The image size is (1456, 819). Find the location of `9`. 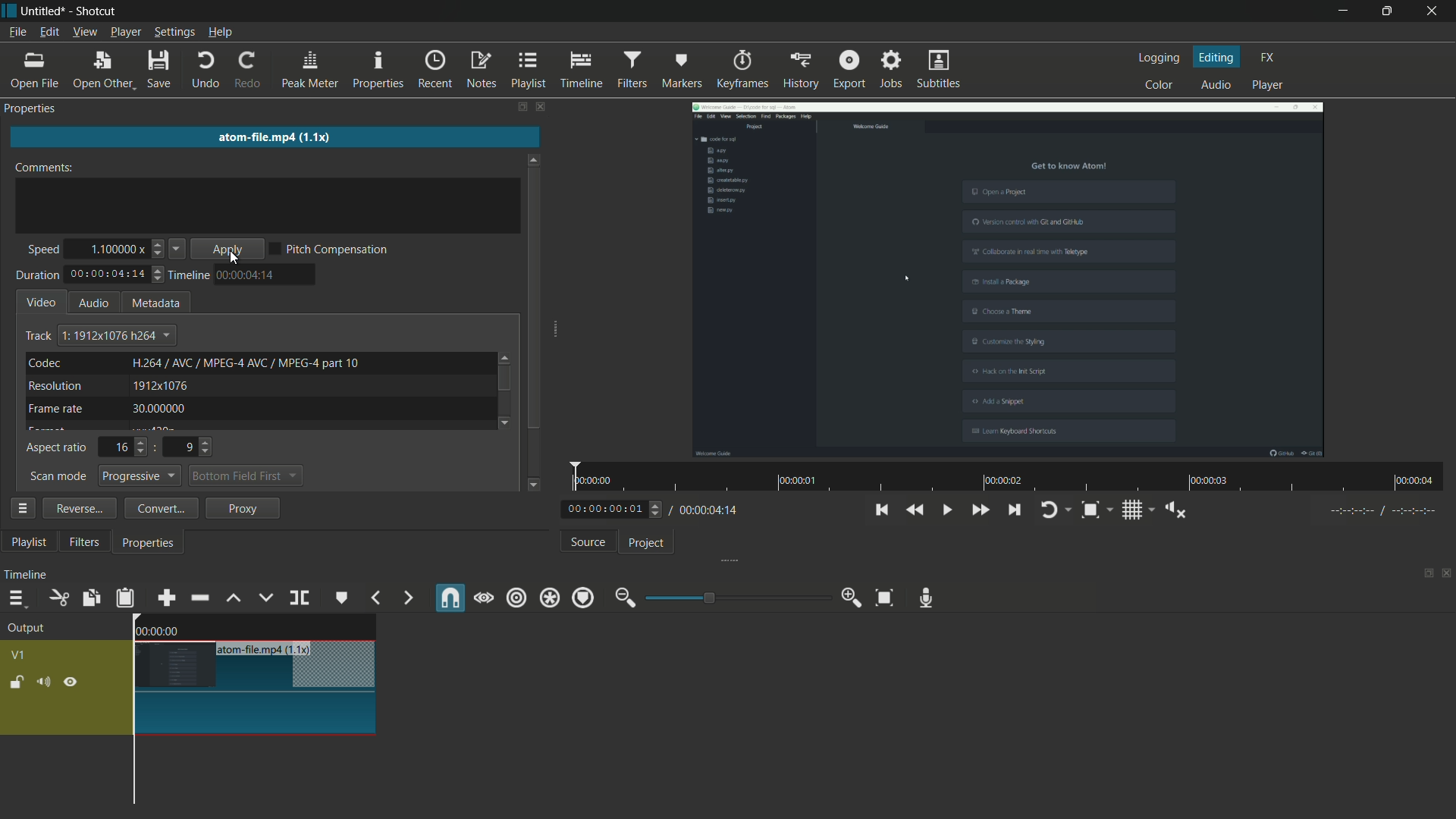

9 is located at coordinates (194, 447).